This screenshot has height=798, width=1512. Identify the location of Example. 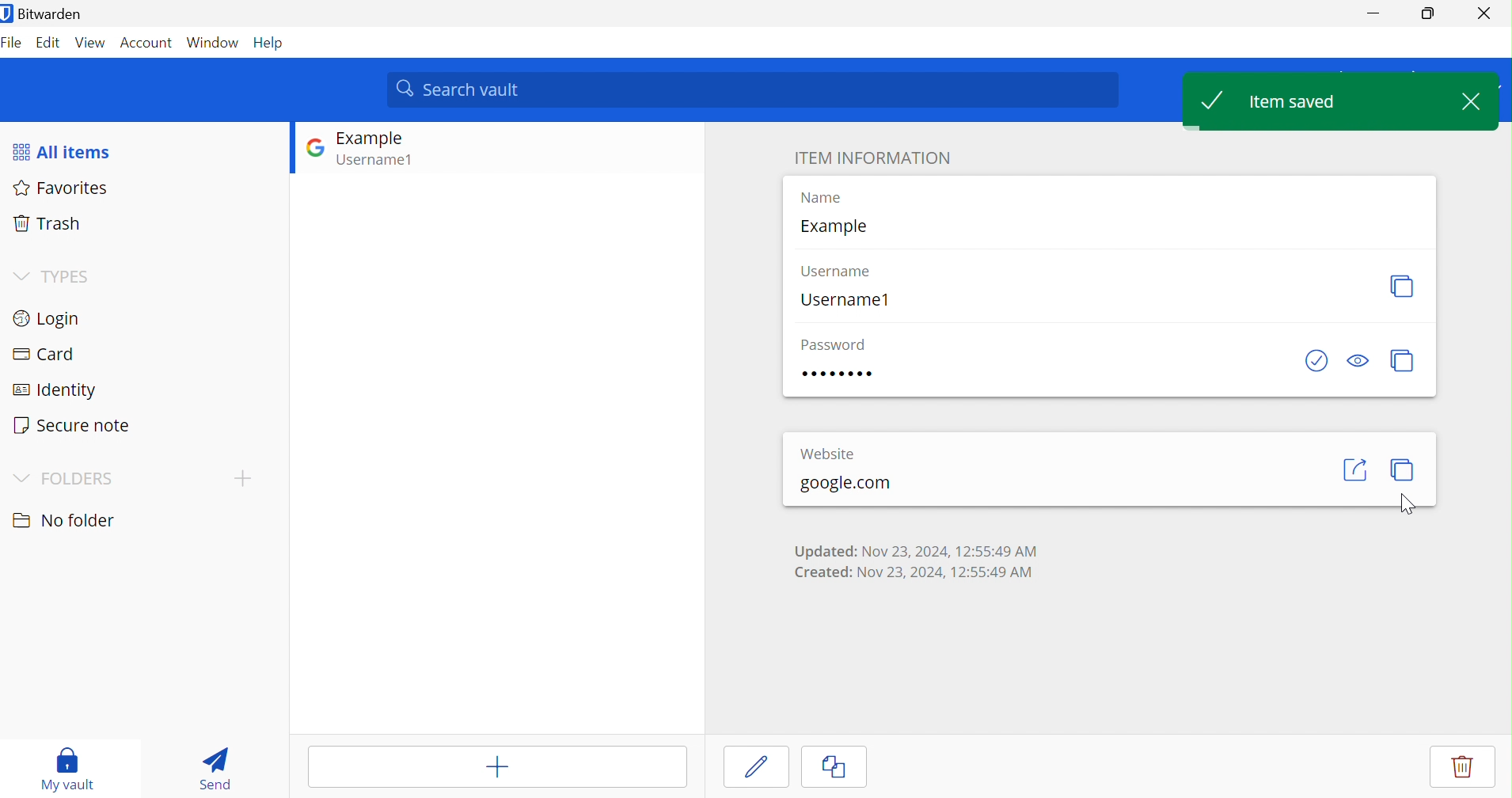
(833, 226).